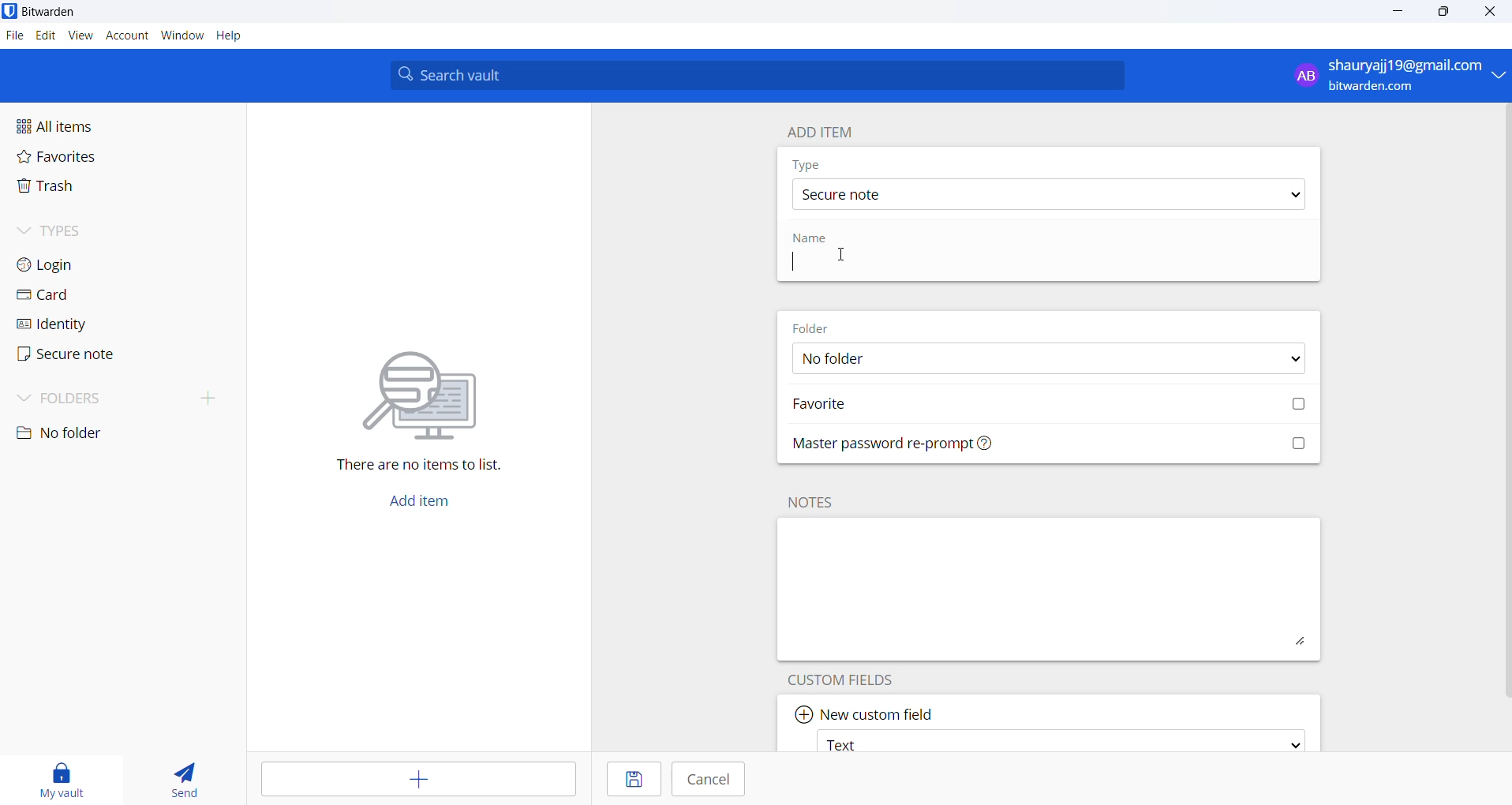 Image resolution: width=1512 pixels, height=805 pixels. I want to click on notes textarea, so click(1050, 589).